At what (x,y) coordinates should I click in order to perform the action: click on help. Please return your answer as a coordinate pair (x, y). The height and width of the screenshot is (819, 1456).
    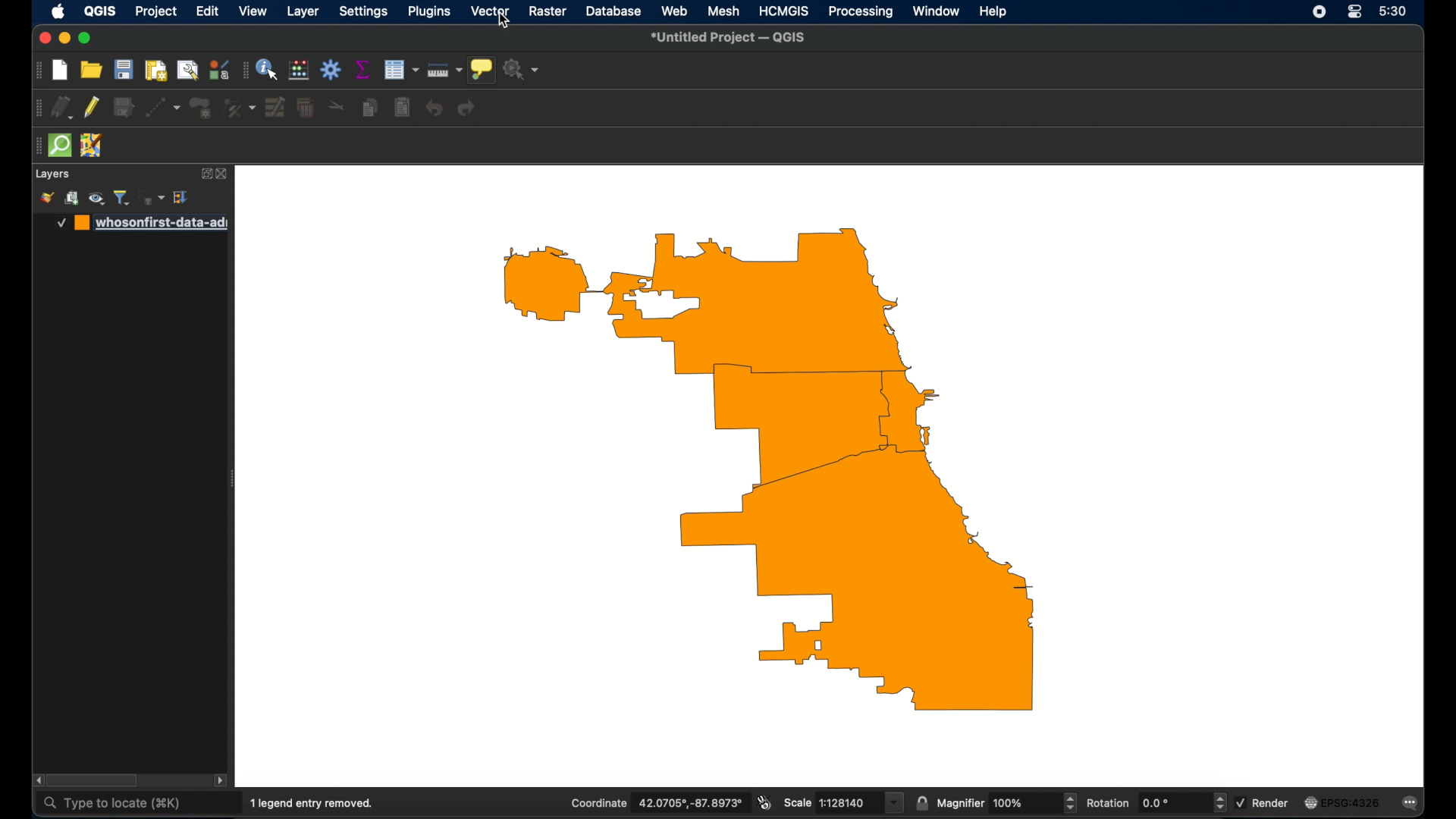
    Looking at the image, I should click on (993, 12).